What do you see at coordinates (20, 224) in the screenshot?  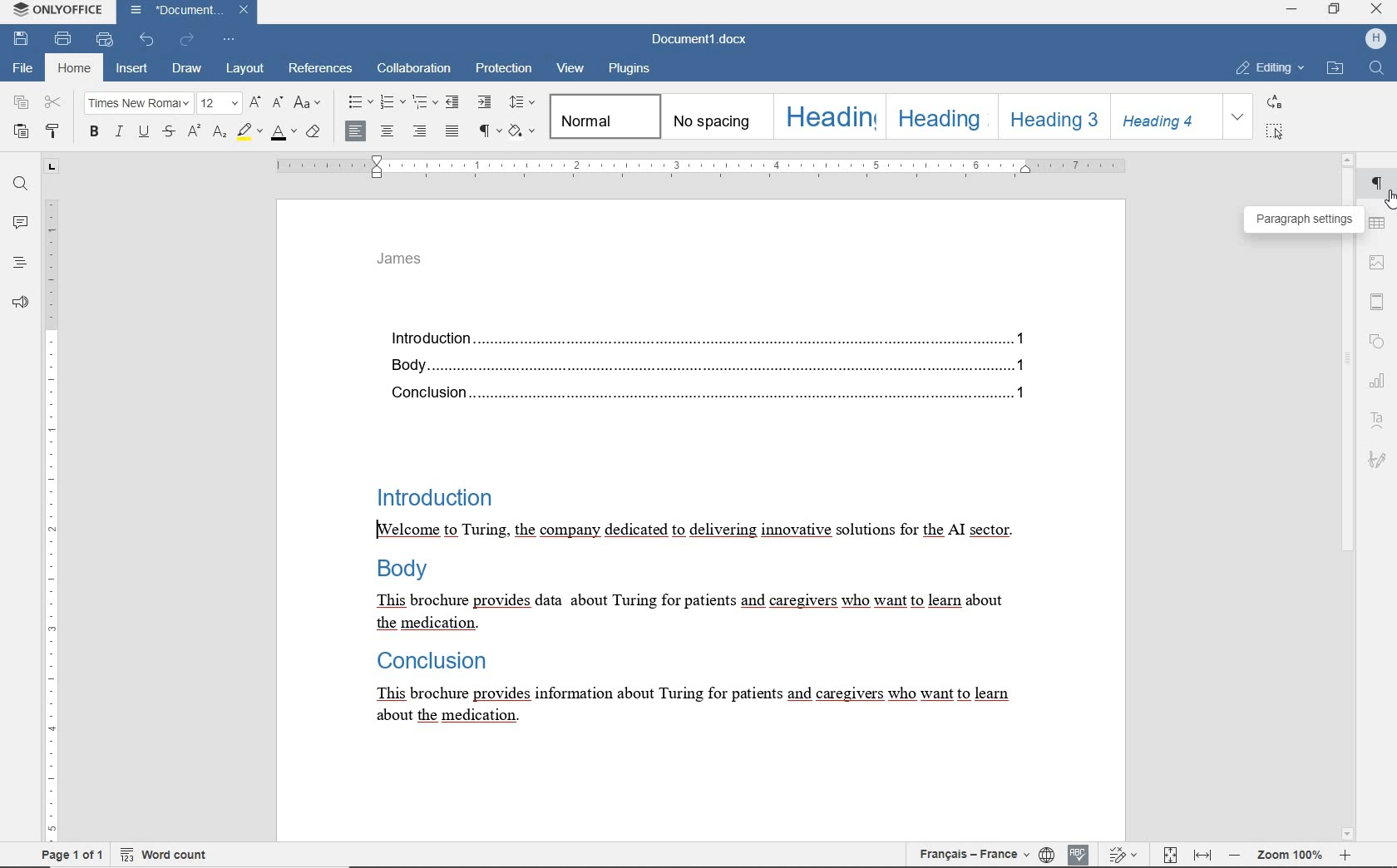 I see `comments` at bounding box center [20, 224].